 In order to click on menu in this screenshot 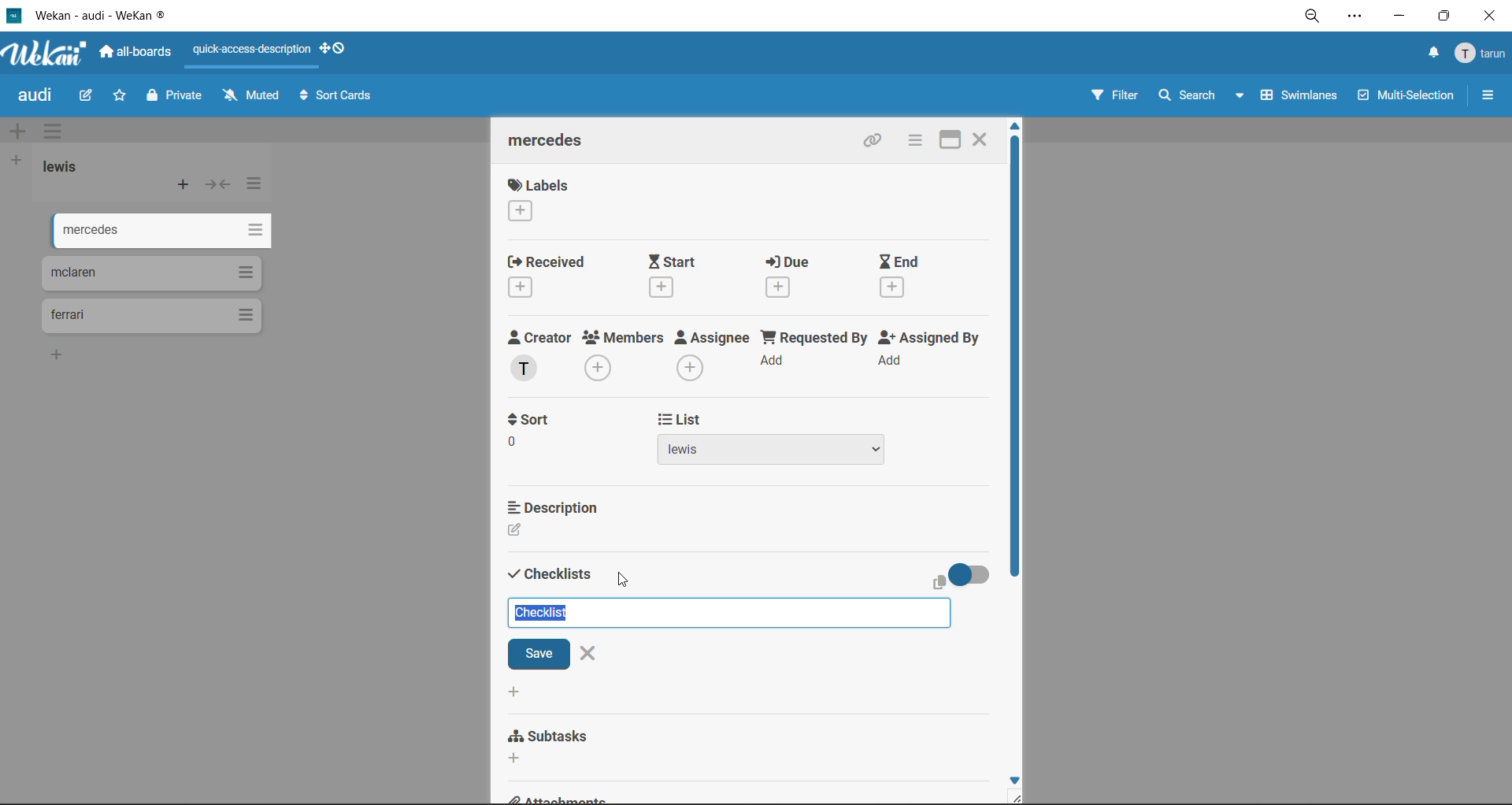, I will do `click(1482, 54)`.